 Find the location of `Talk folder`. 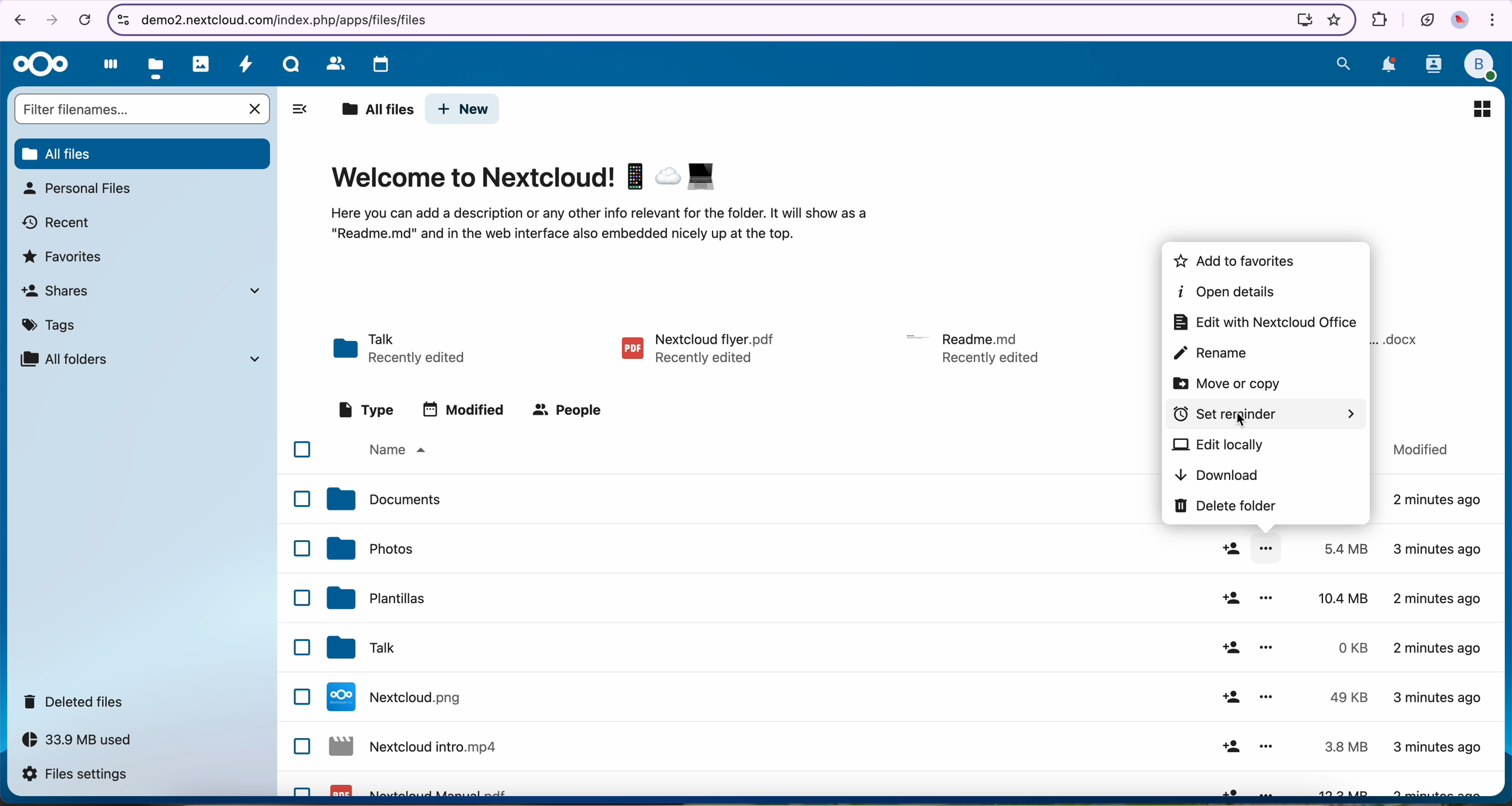

Talk folder is located at coordinates (404, 347).